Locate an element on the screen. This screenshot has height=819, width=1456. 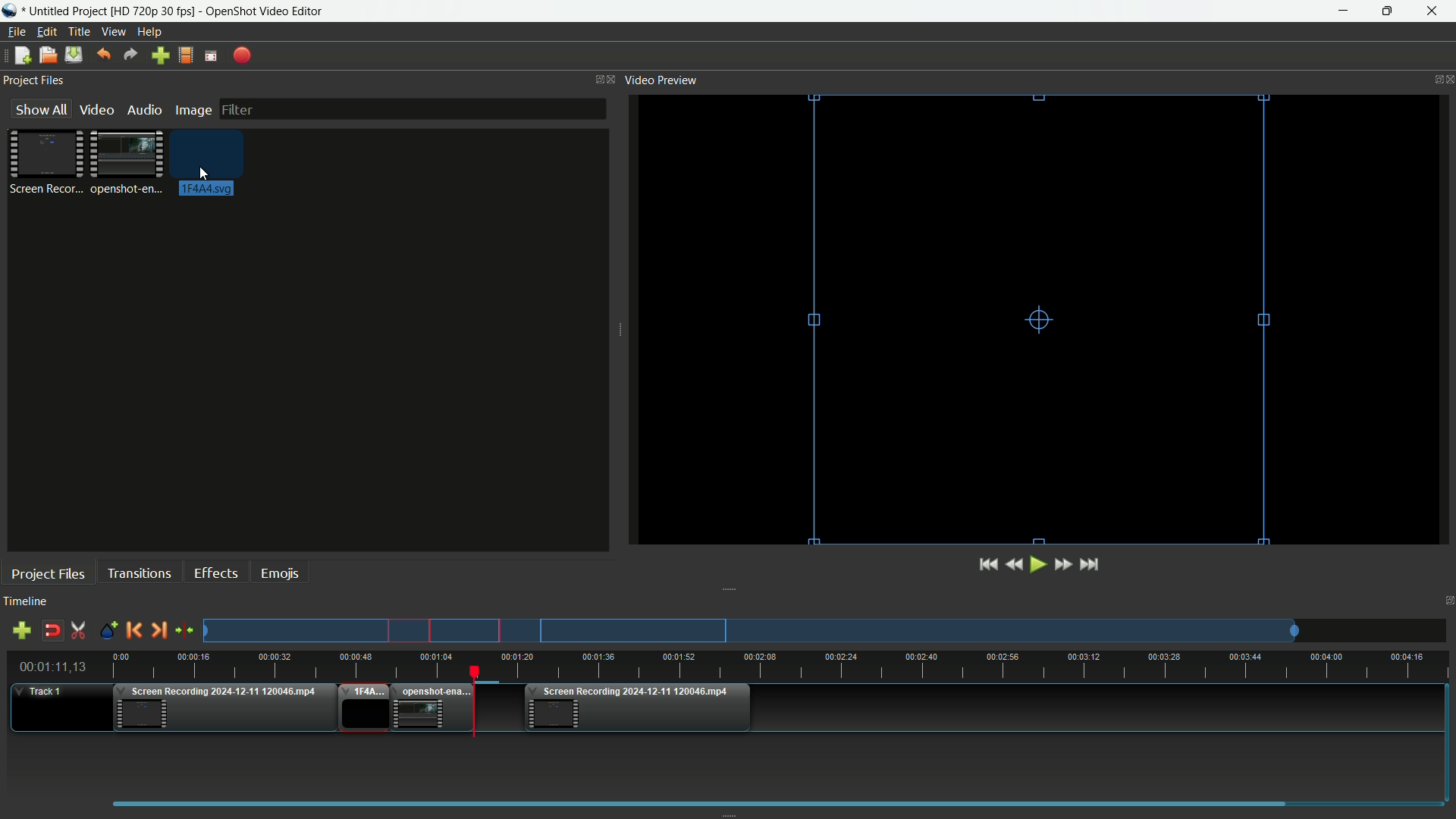
Change layout is located at coordinates (595, 80).